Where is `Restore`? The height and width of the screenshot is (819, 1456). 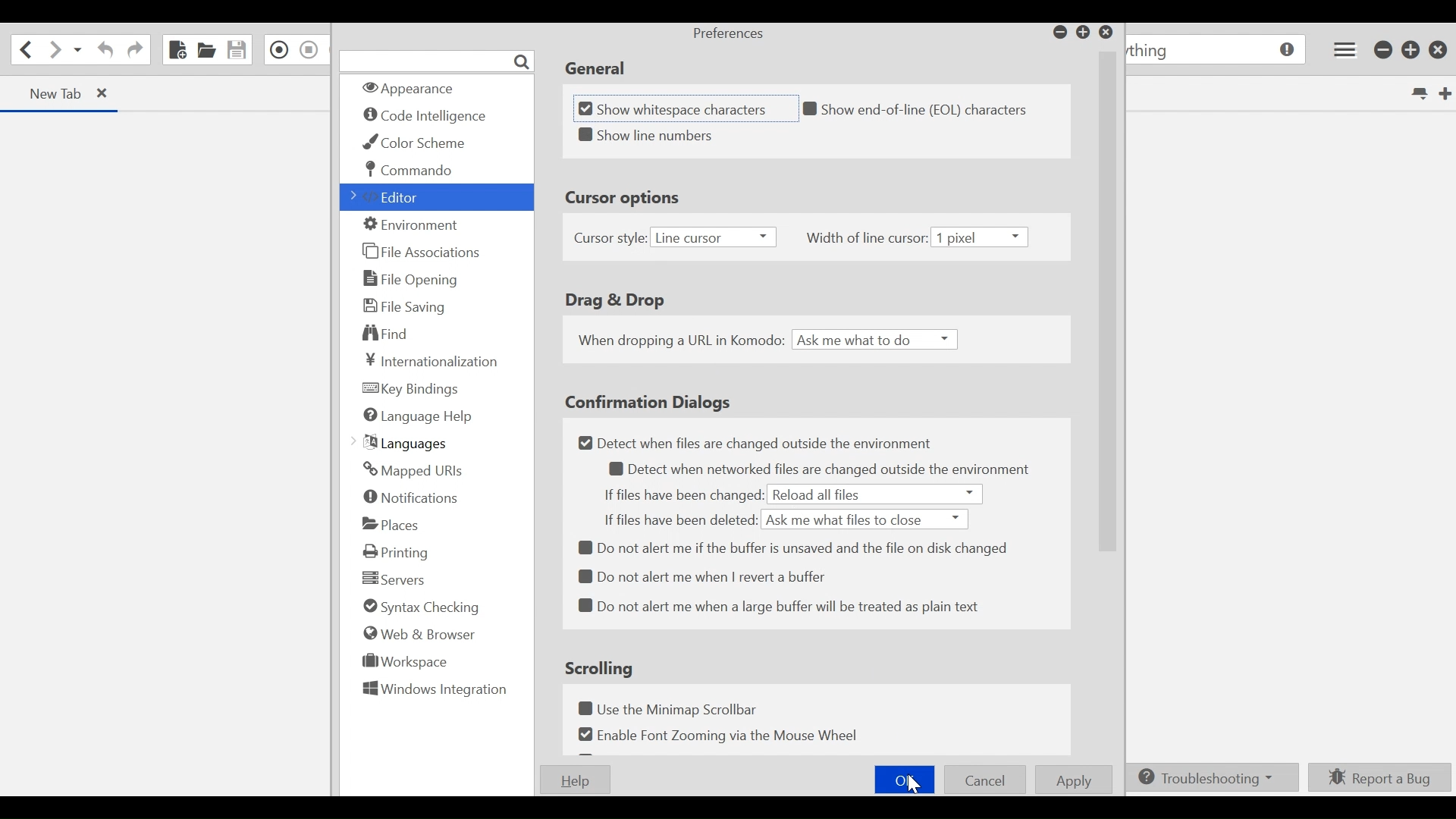
Restore is located at coordinates (1412, 49).